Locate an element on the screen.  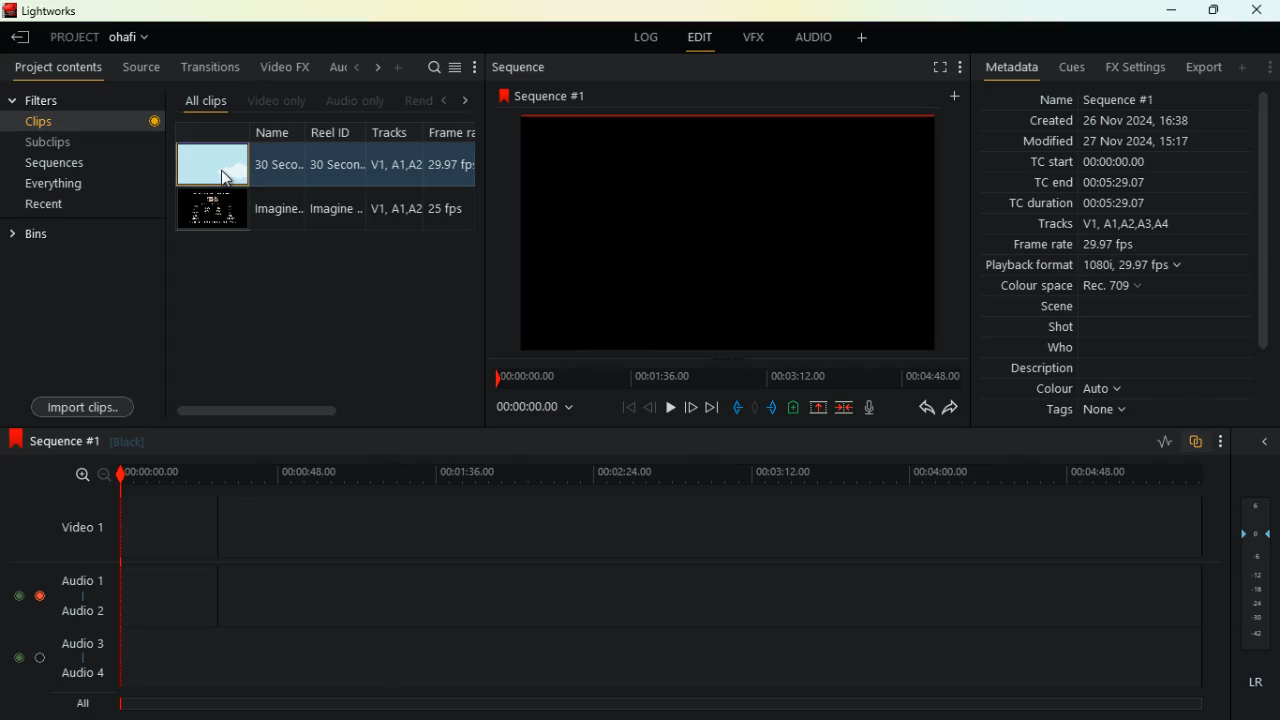
close is located at coordinates (1265, 440).